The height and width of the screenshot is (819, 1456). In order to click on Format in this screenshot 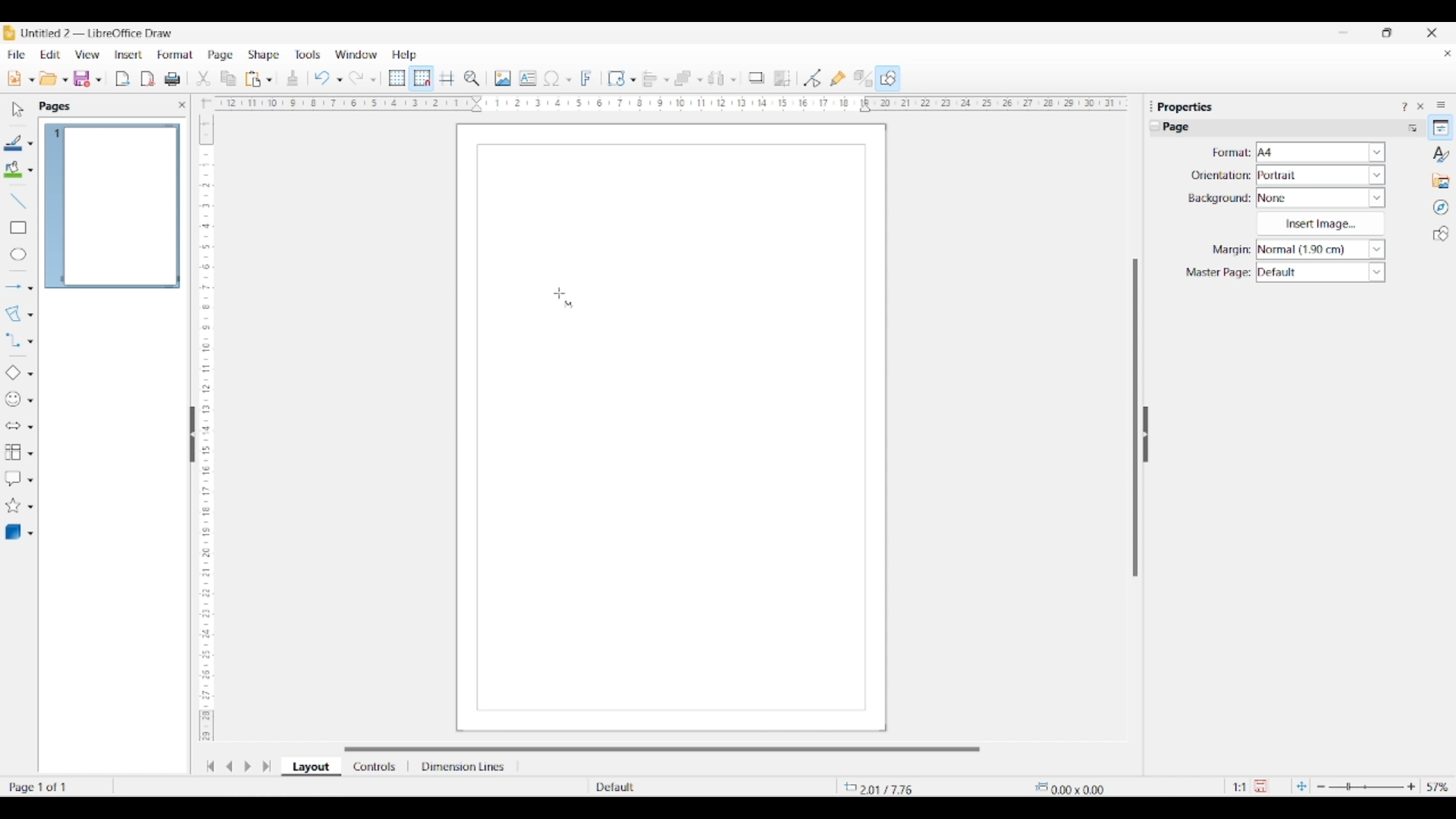, I will do `click(176, 55)`.